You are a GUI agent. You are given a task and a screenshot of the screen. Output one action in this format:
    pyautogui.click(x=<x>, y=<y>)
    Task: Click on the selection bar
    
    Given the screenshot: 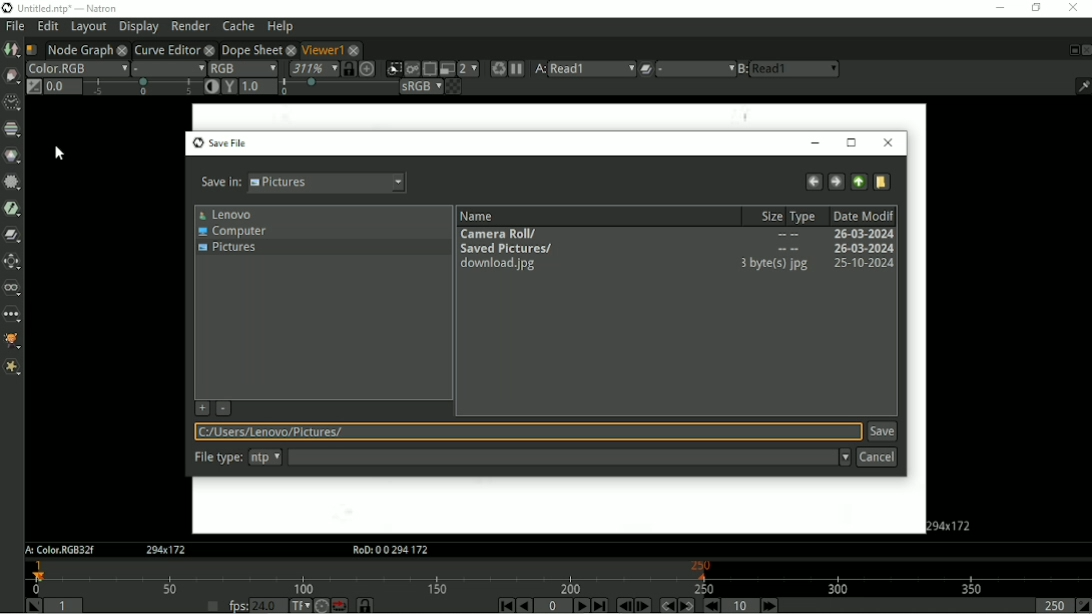 What is the action you would take?
    pyautogui.click(x=339, y=87)
    